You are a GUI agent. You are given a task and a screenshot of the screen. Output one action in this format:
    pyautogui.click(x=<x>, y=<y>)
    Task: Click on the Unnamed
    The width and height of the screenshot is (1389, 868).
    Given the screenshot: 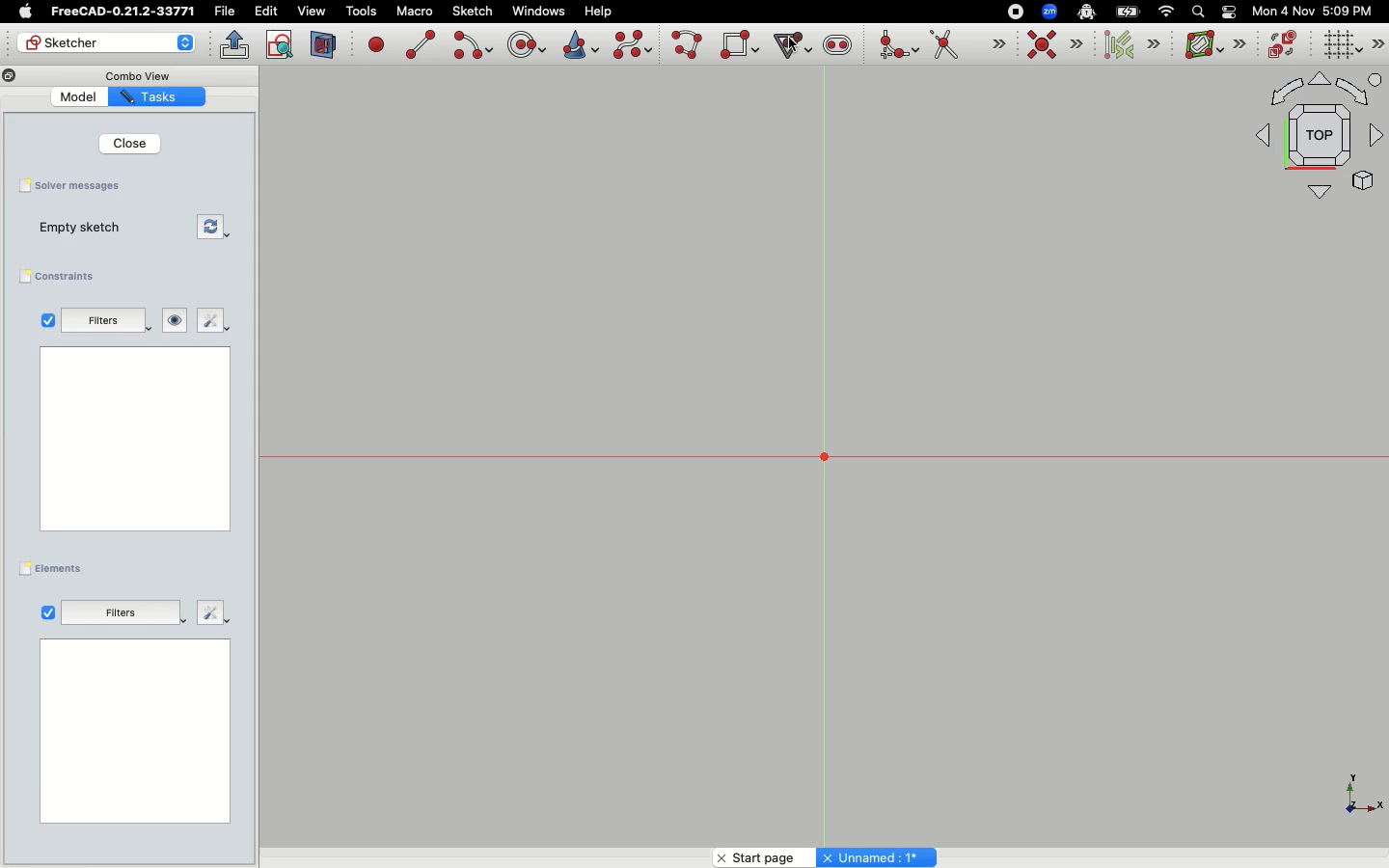 What is the action you would take?
    pyautogui.click(x=879, y=856)
    